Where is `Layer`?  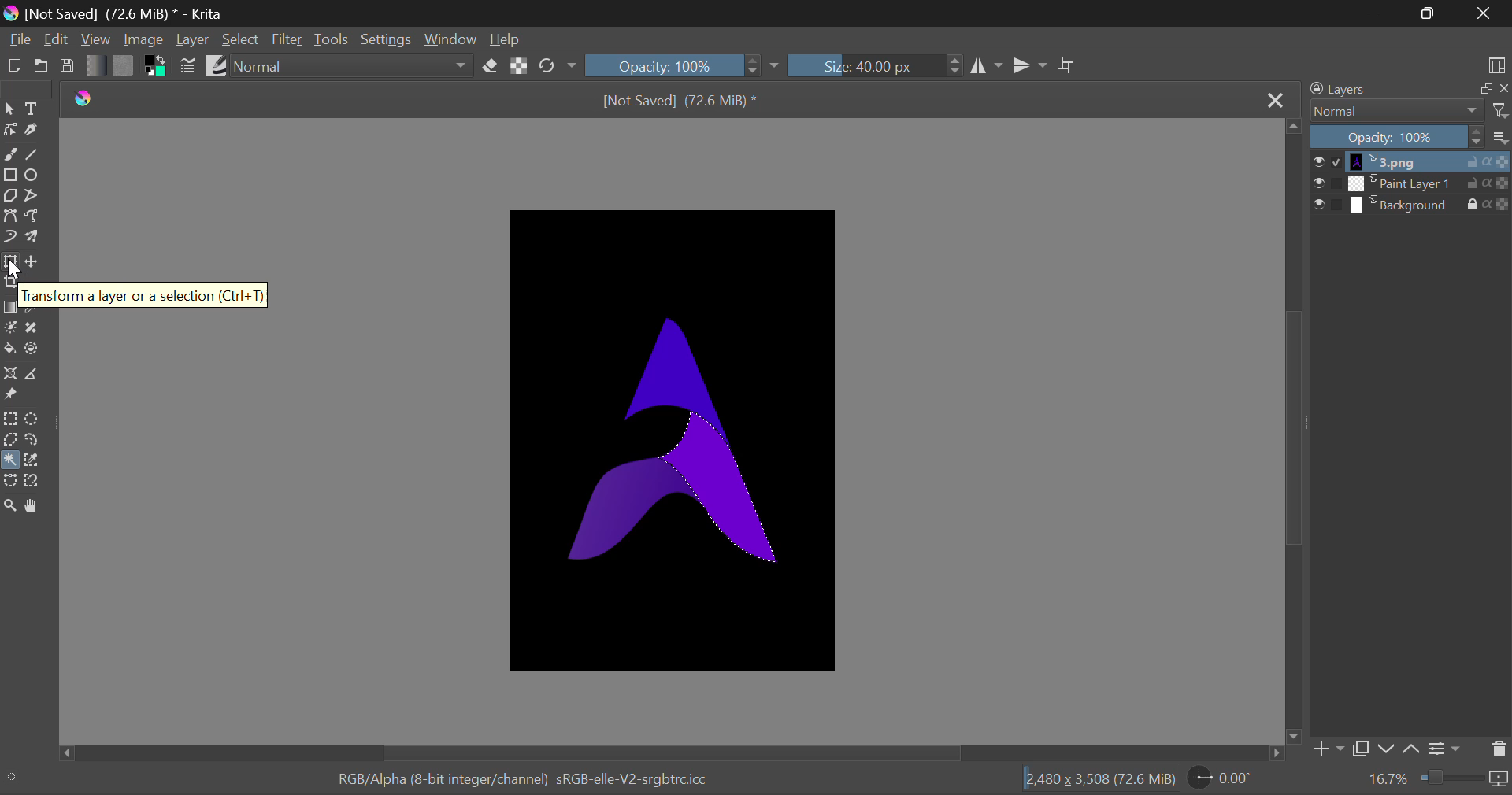
Layer is located at coordinates (193, 39).